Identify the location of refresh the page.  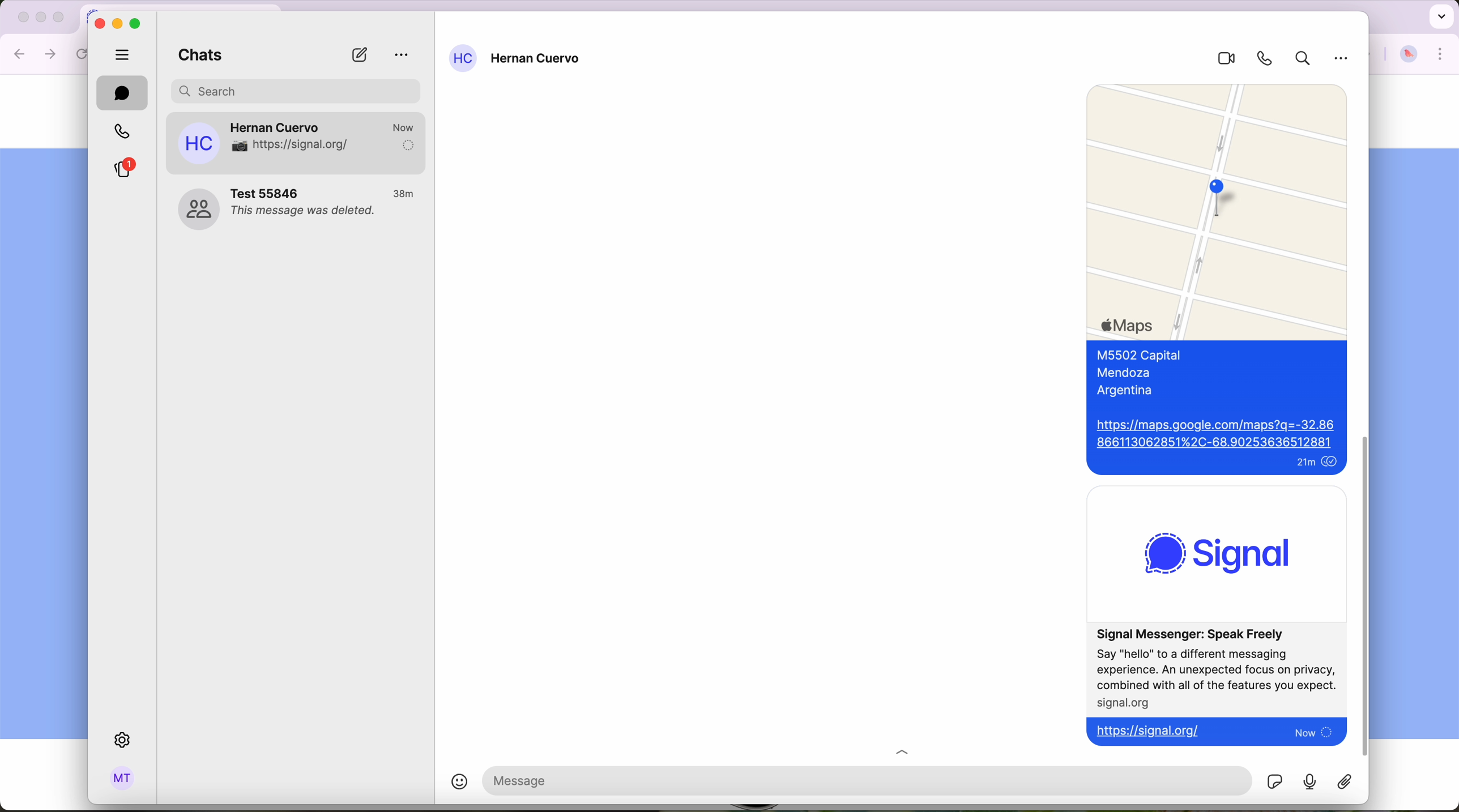
(84, 54).